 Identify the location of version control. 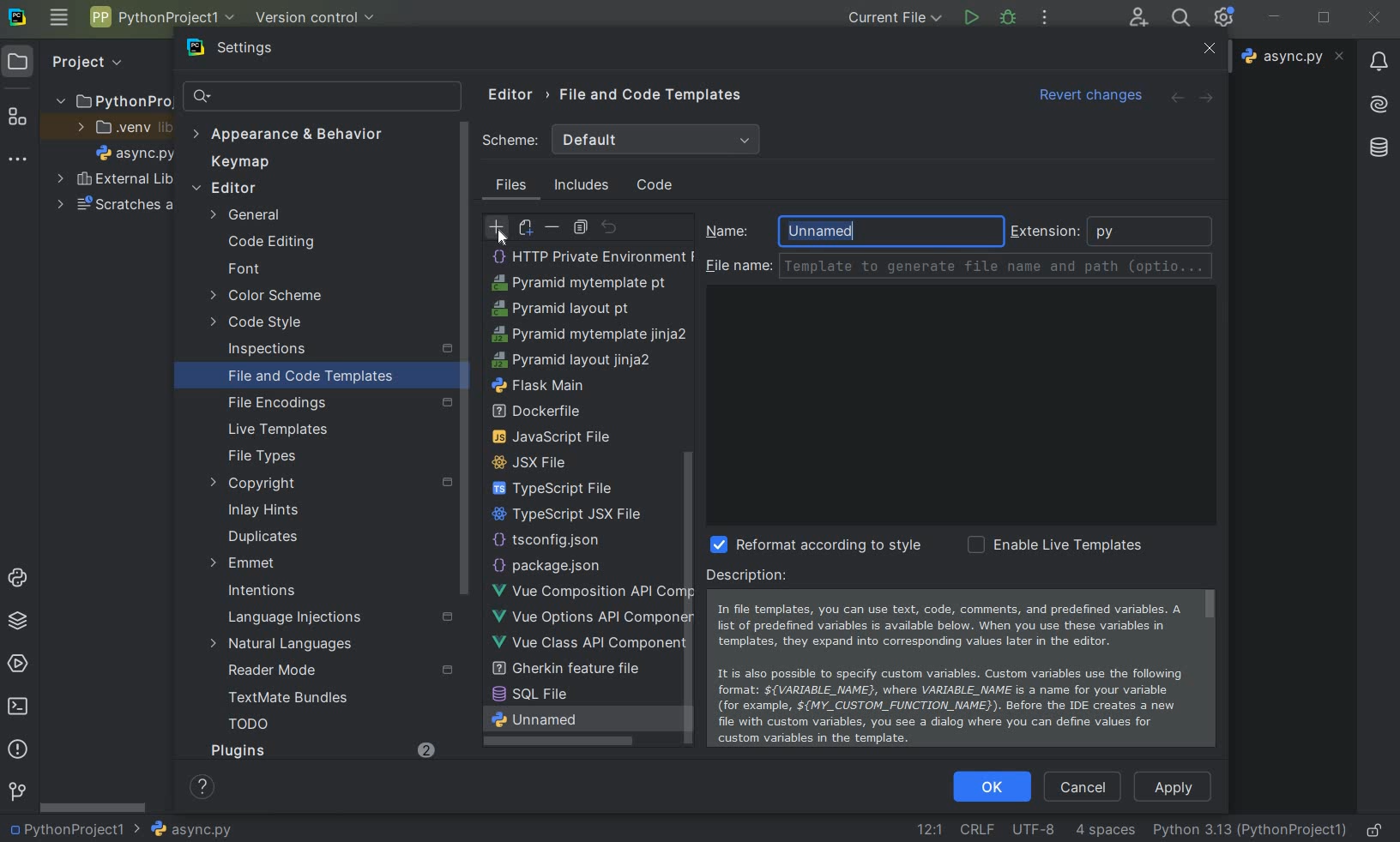
(316, 17).